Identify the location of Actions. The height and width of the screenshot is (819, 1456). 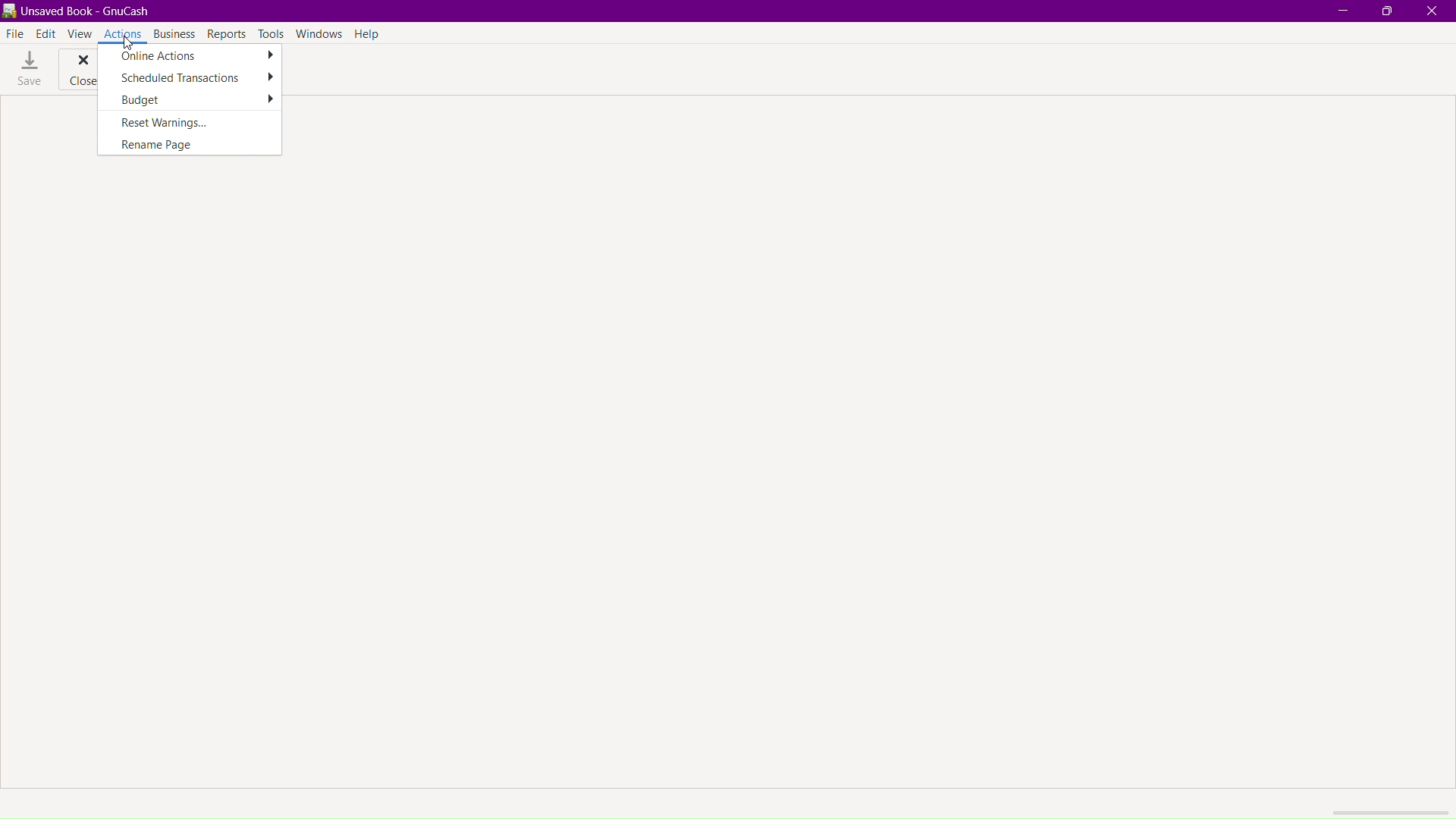
(124, 33).